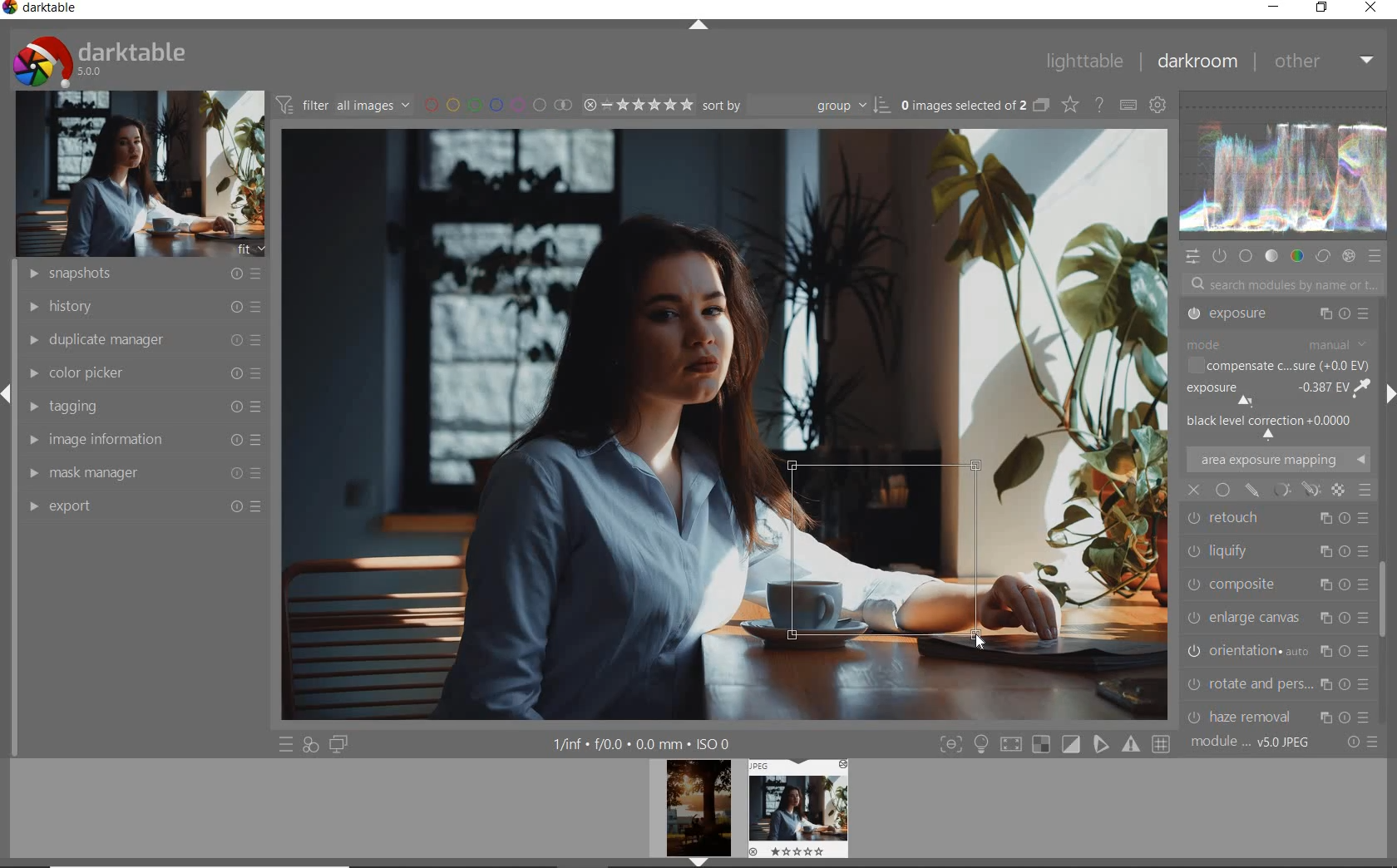  I want to click on EFFECT, so click(1348, 256).